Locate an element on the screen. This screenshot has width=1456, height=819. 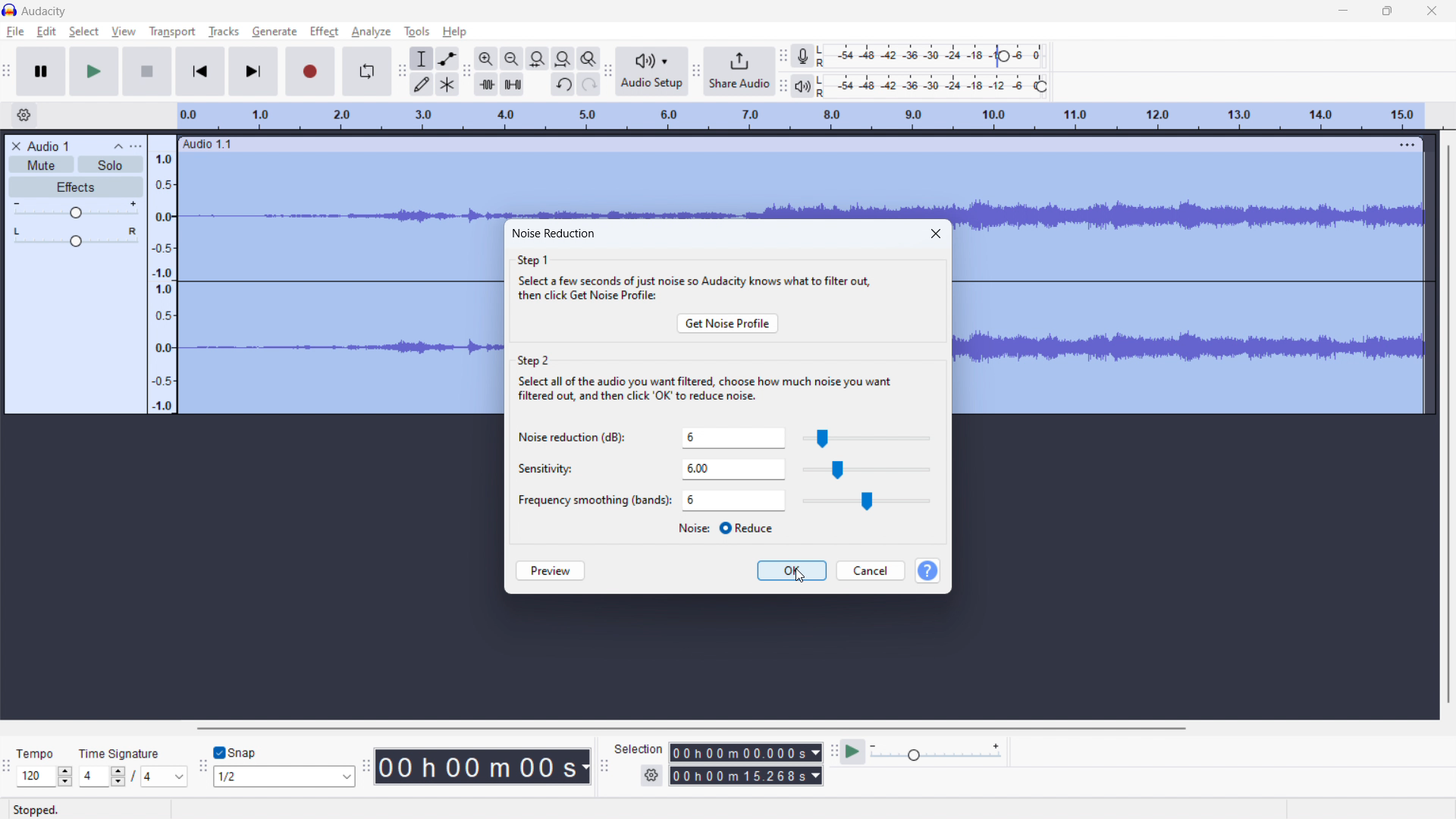
stop is located at coordinates (147, 71).